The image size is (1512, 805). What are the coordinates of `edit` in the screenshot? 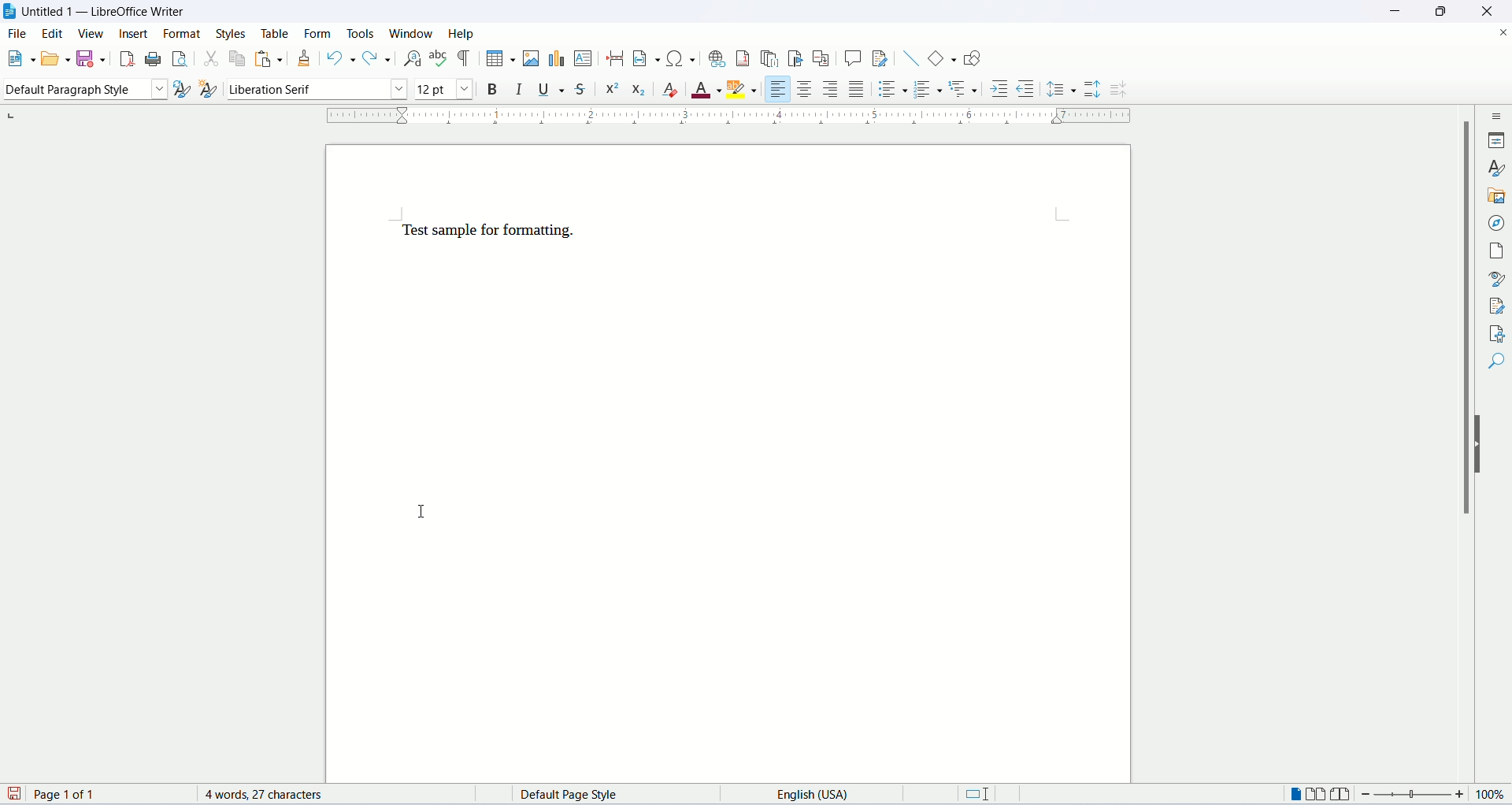 It's located at (54, 35).